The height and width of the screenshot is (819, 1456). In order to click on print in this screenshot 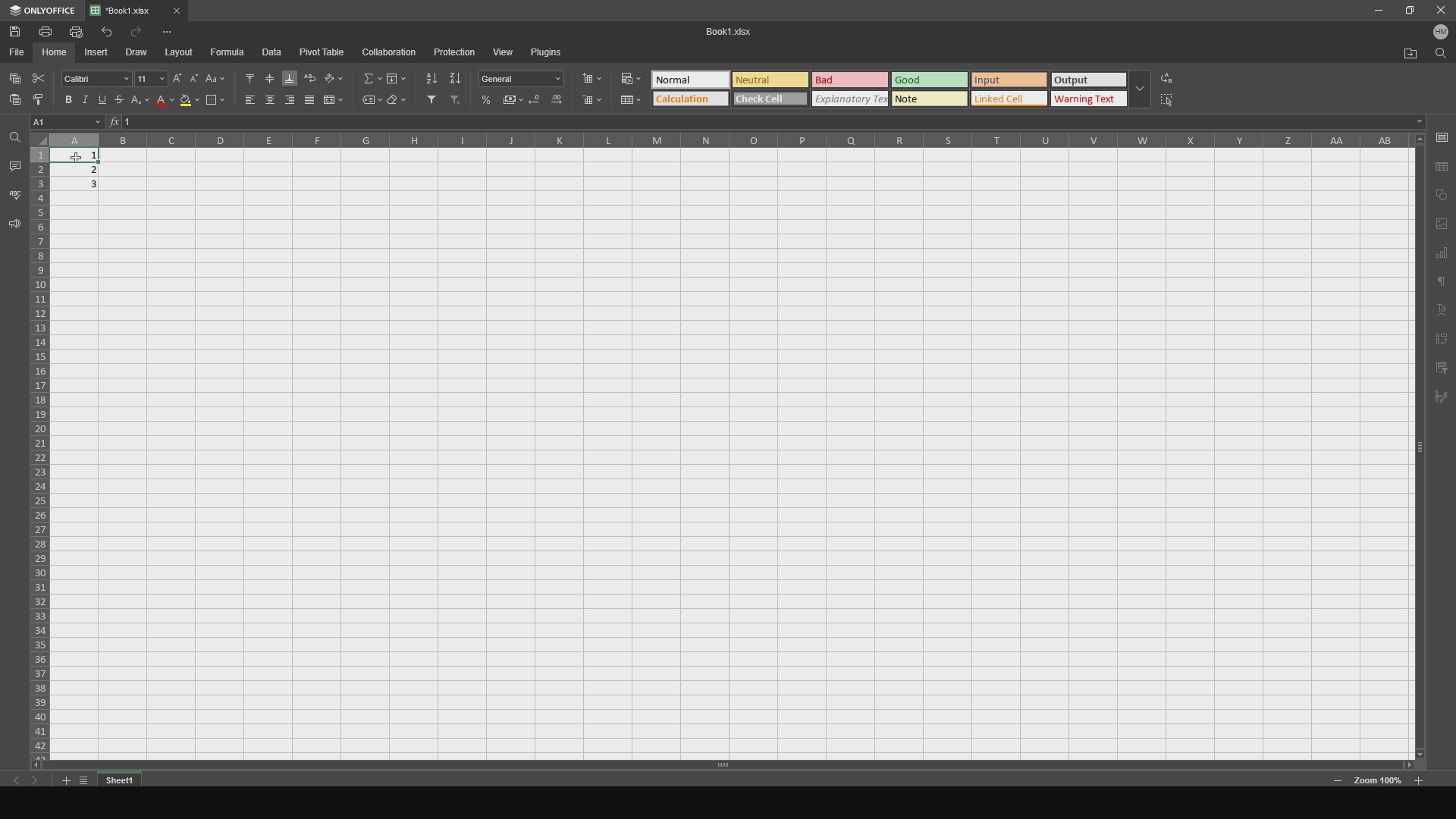, I will do `click(49, 32)`.